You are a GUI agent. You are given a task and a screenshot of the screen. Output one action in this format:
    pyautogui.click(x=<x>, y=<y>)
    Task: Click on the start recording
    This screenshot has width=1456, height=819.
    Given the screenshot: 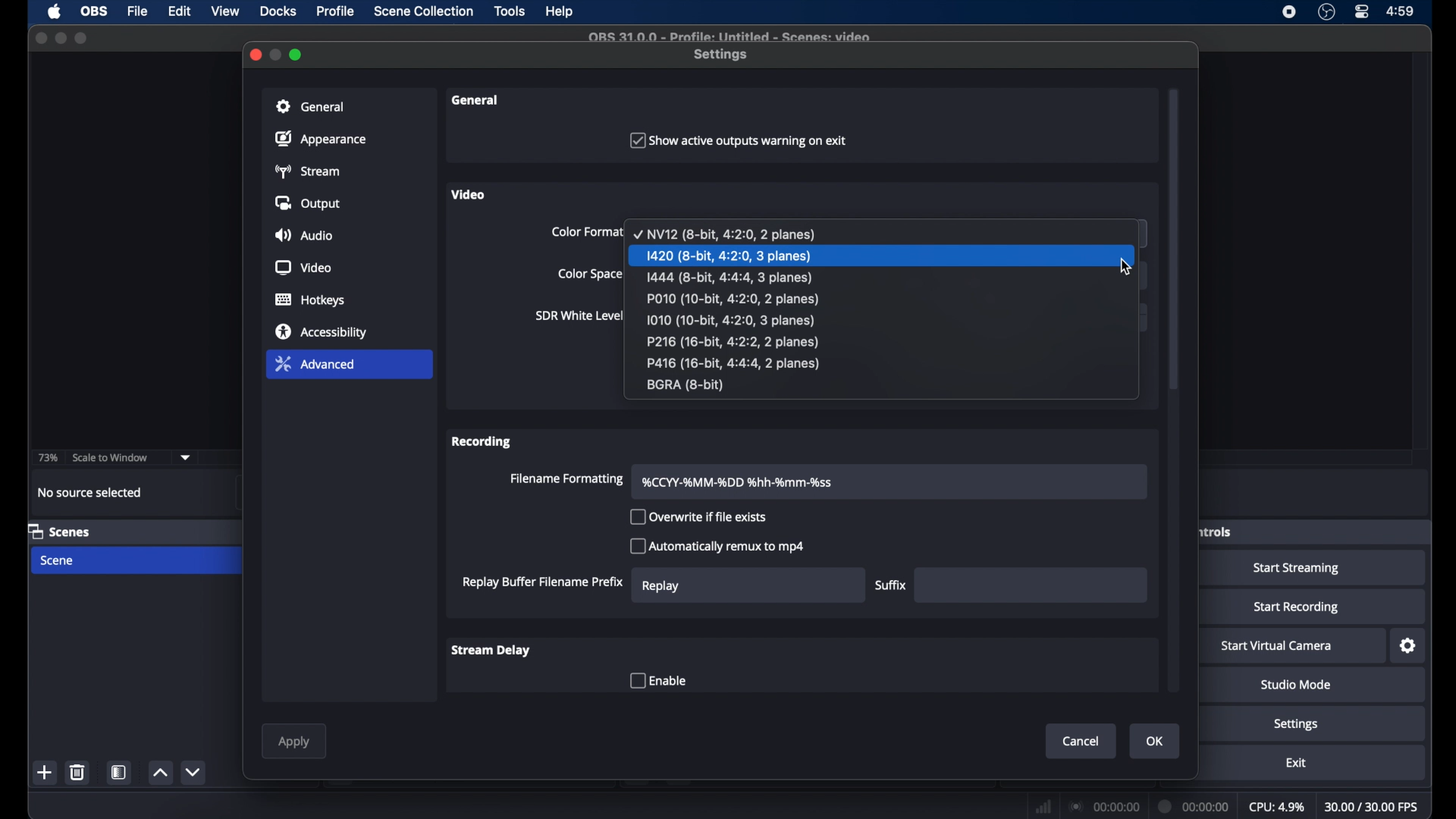 What is the action you would take?
    pyautogui.click(x=1295, y=607)
    